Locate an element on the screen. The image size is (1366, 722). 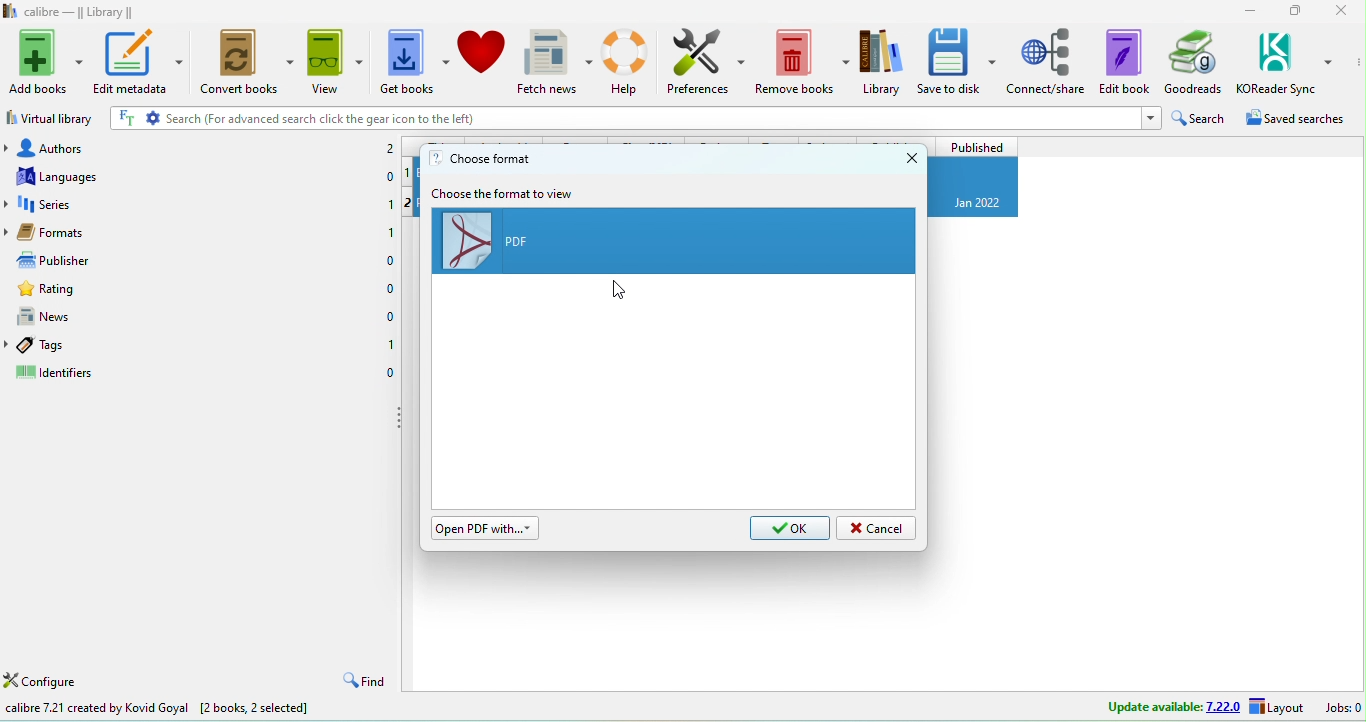
find is located at coordinates (362, 681).